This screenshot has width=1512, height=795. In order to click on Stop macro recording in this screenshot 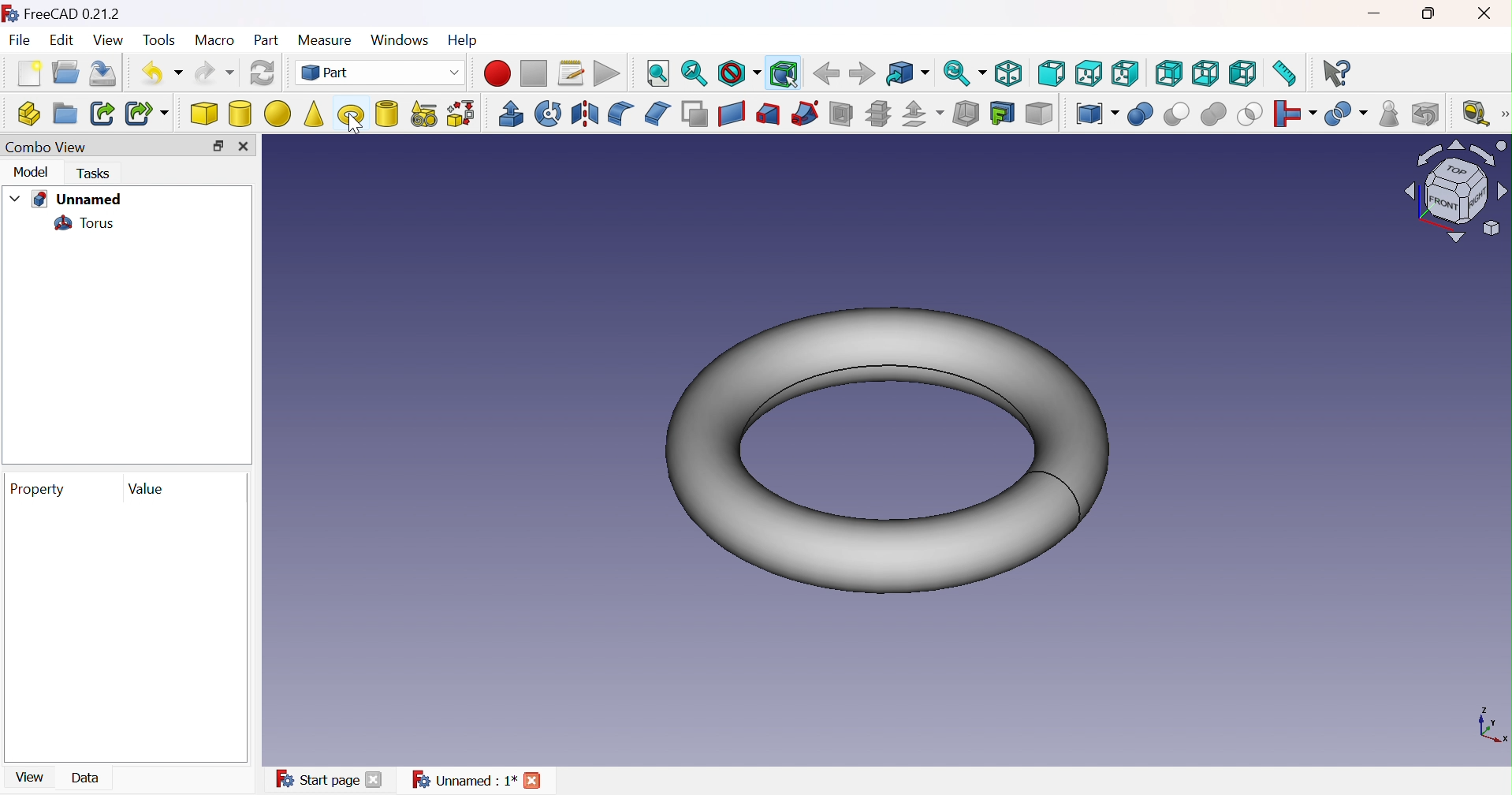, I will do `click(534, 73)`.